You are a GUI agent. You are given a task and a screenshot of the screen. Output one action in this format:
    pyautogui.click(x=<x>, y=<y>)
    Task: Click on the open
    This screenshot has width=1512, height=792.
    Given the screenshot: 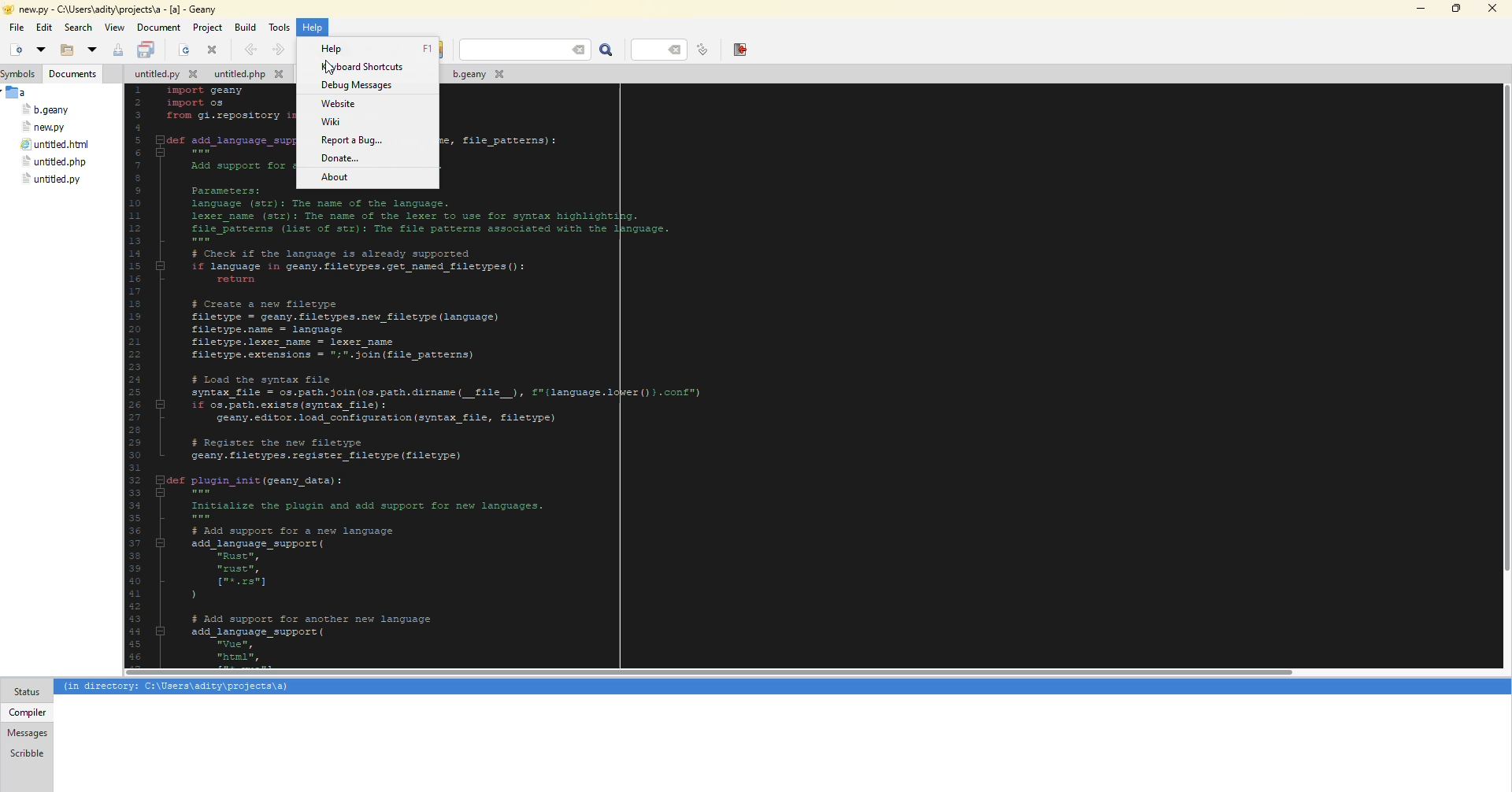 What is the action you would take?
    pyautogui.click(x=39, y=49)
    